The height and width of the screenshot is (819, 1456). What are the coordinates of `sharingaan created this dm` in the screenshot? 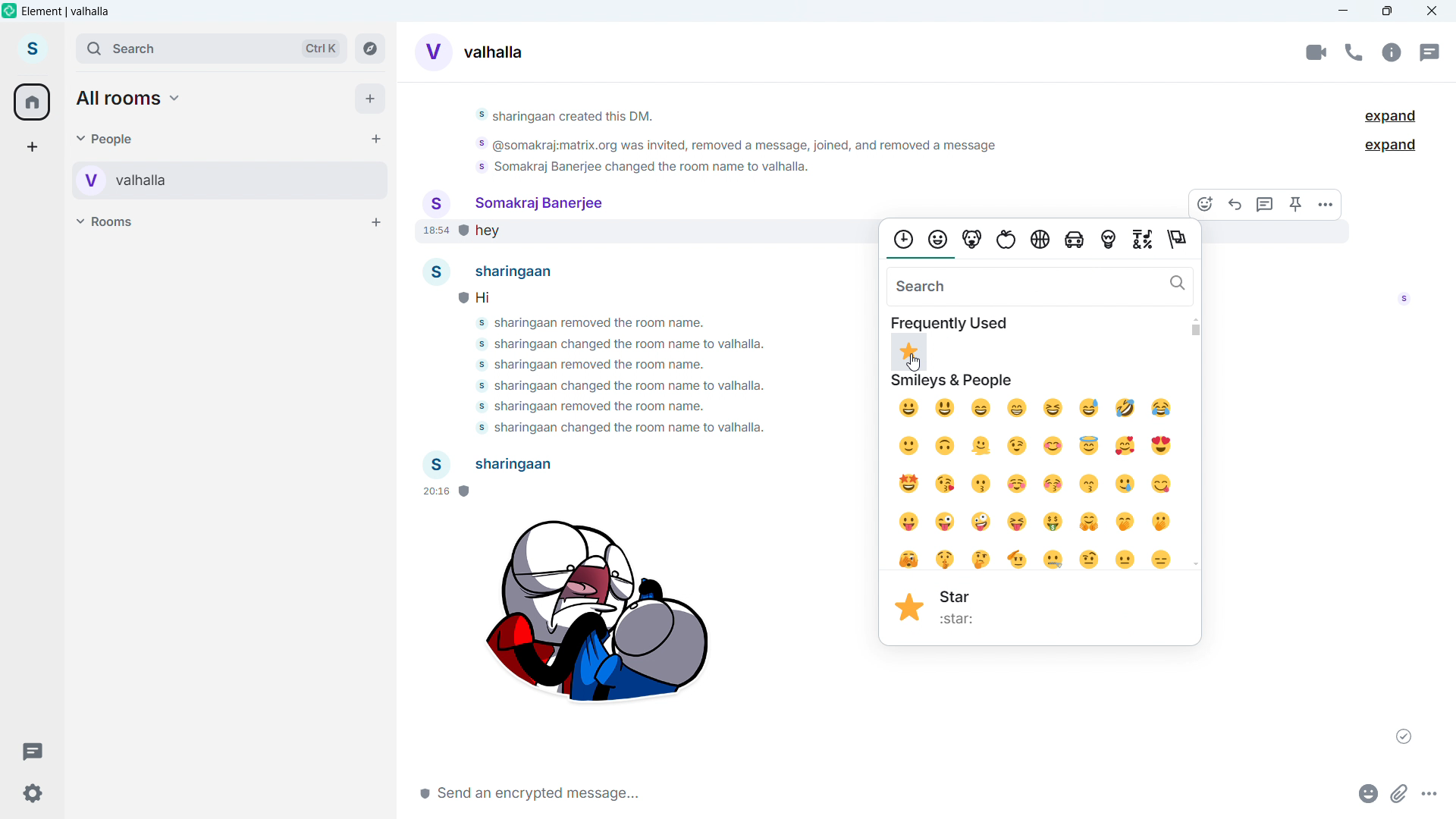 It's located at (730, 118).